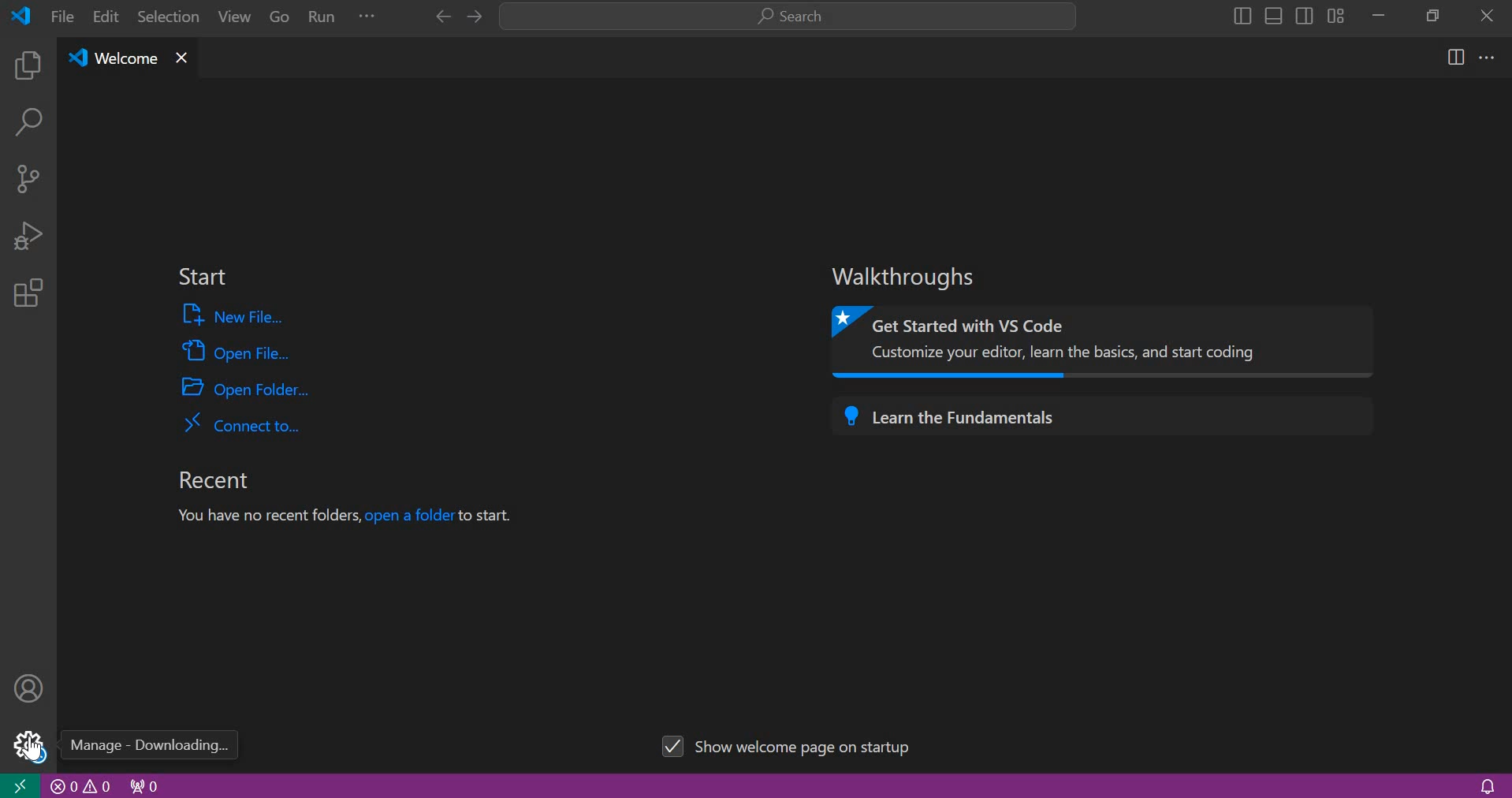  I want to click on restore down, so click(1428, 14).